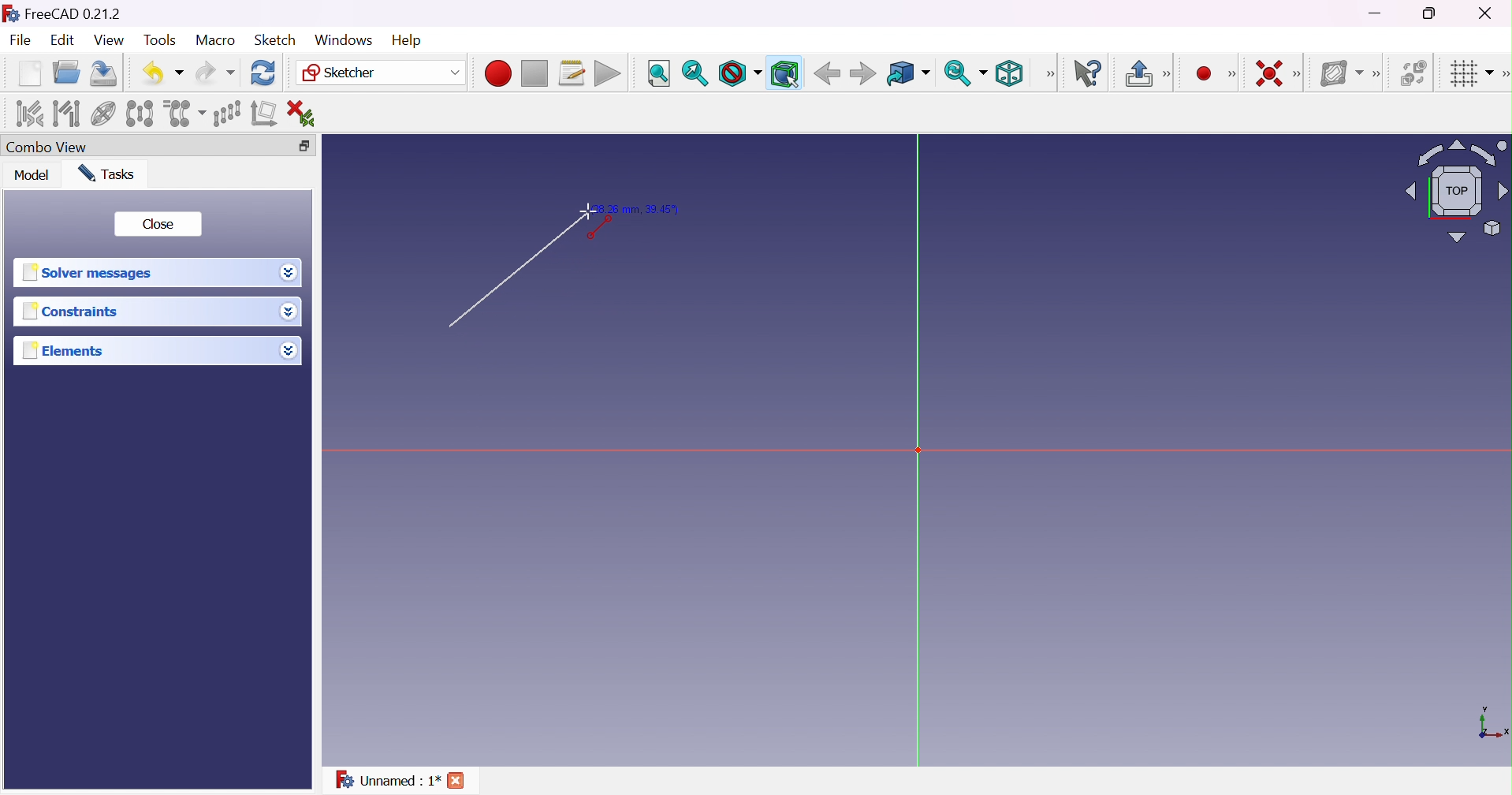 The width and height of the screenshot is (1512, 795). What do you see at coordinates (382, 74) in the screenshot?
I see `Sketcher` at bounding box center [382, 74].